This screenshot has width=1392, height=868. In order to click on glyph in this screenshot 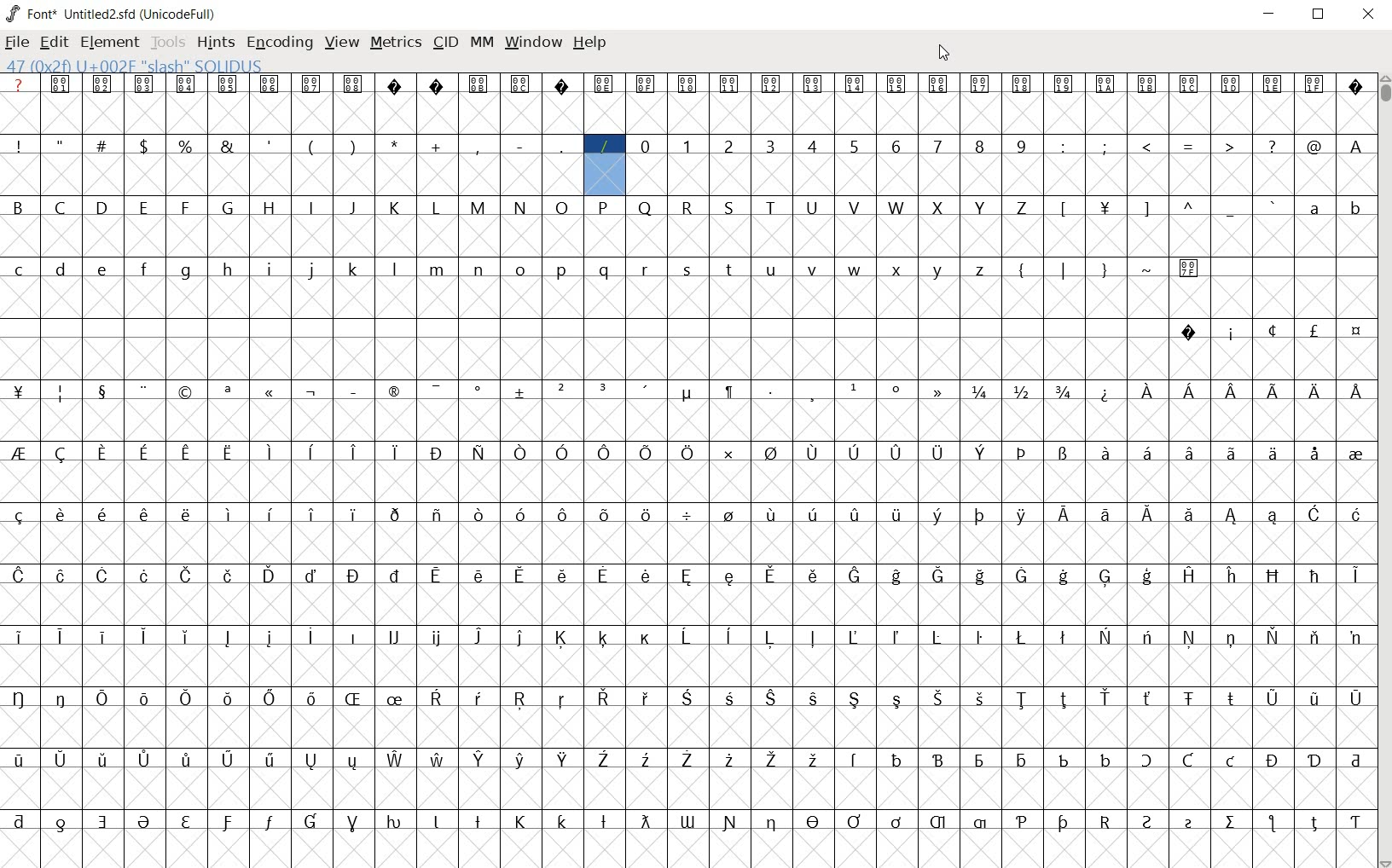, I will do `click(687, 84)`.